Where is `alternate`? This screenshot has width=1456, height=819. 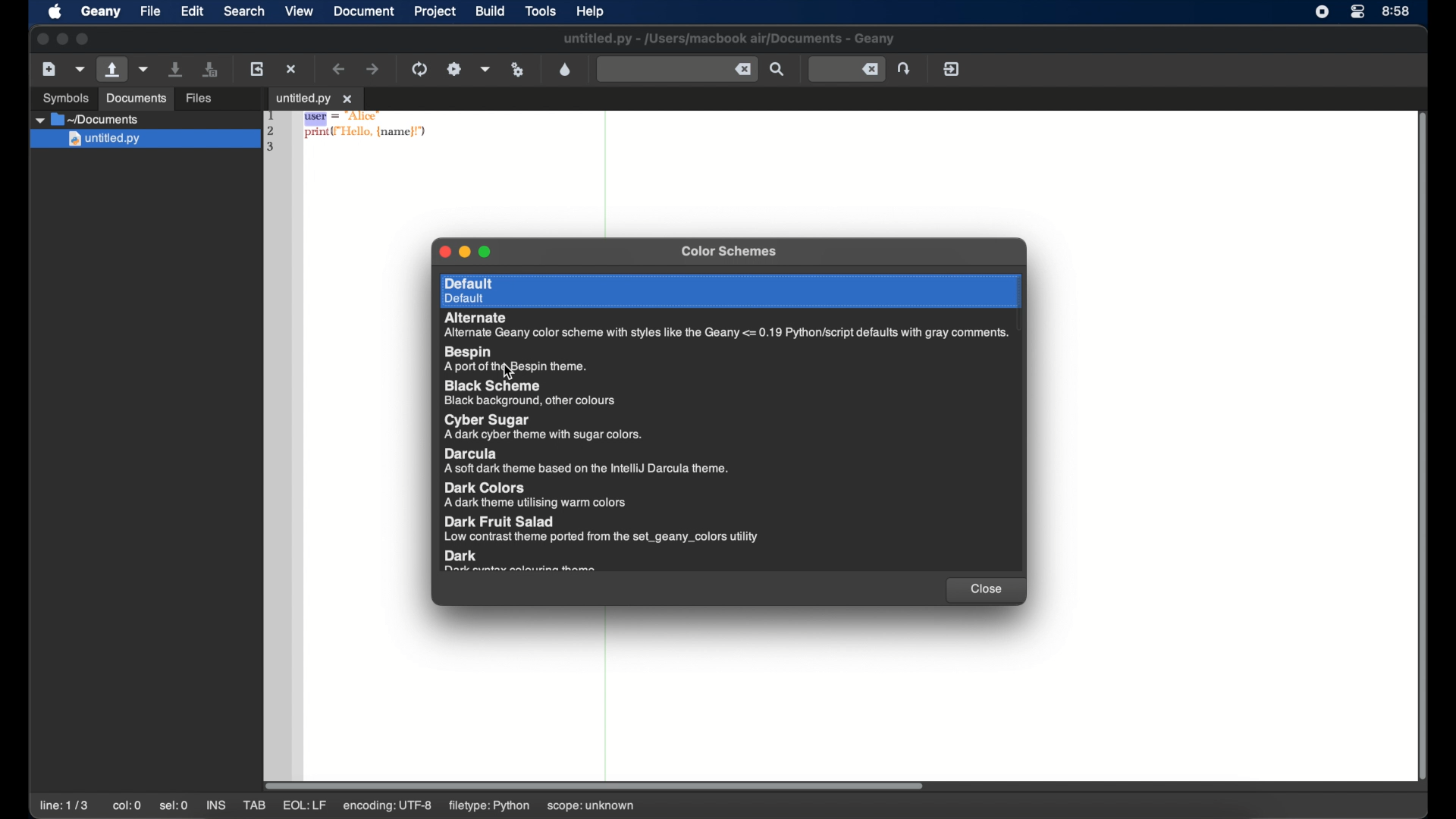
alternate is located at coordinates (727, 326).